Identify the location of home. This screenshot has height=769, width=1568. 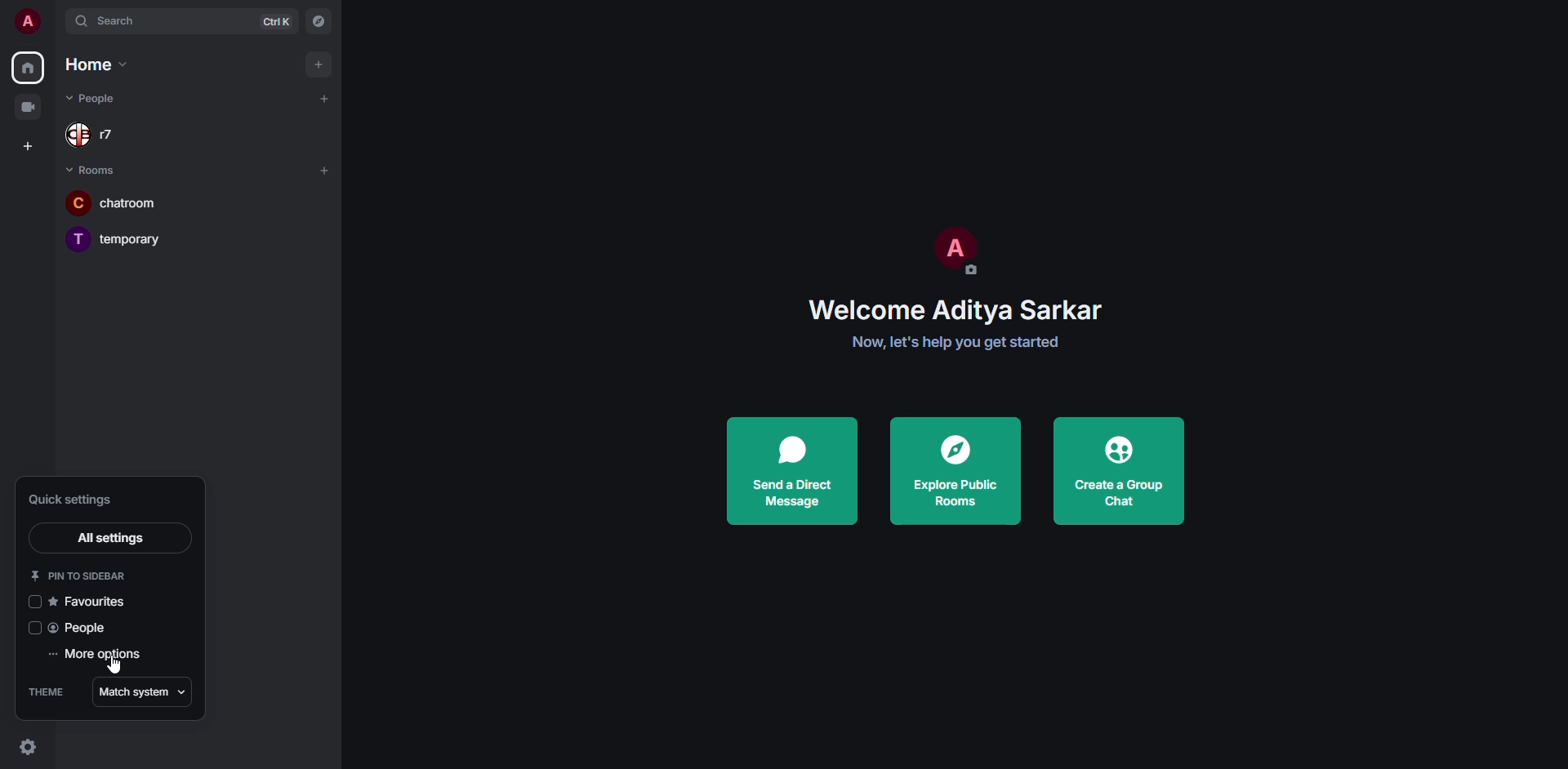
(28, 68).